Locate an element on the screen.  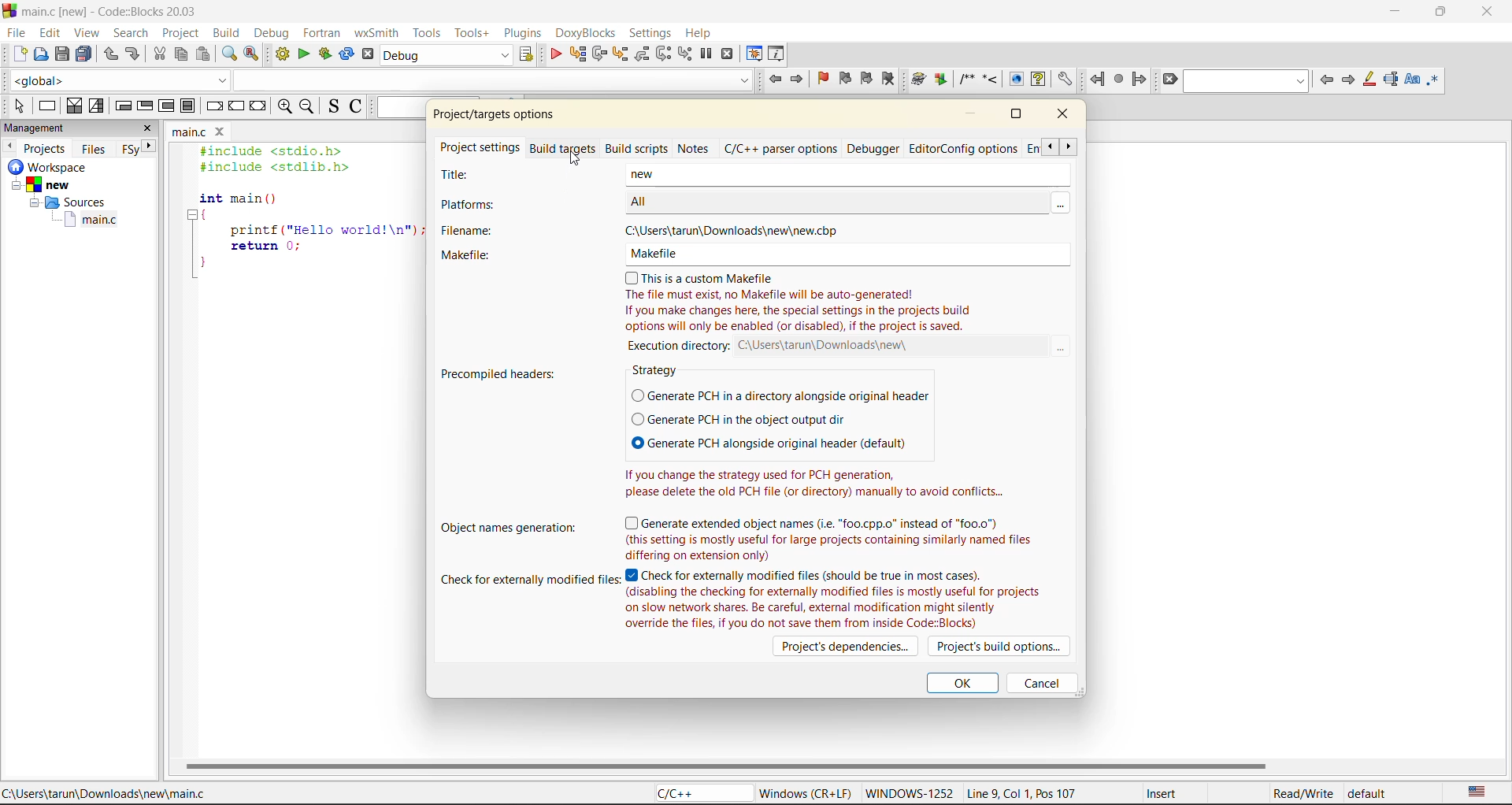
stop debugger is located at coordinates (728, 55).